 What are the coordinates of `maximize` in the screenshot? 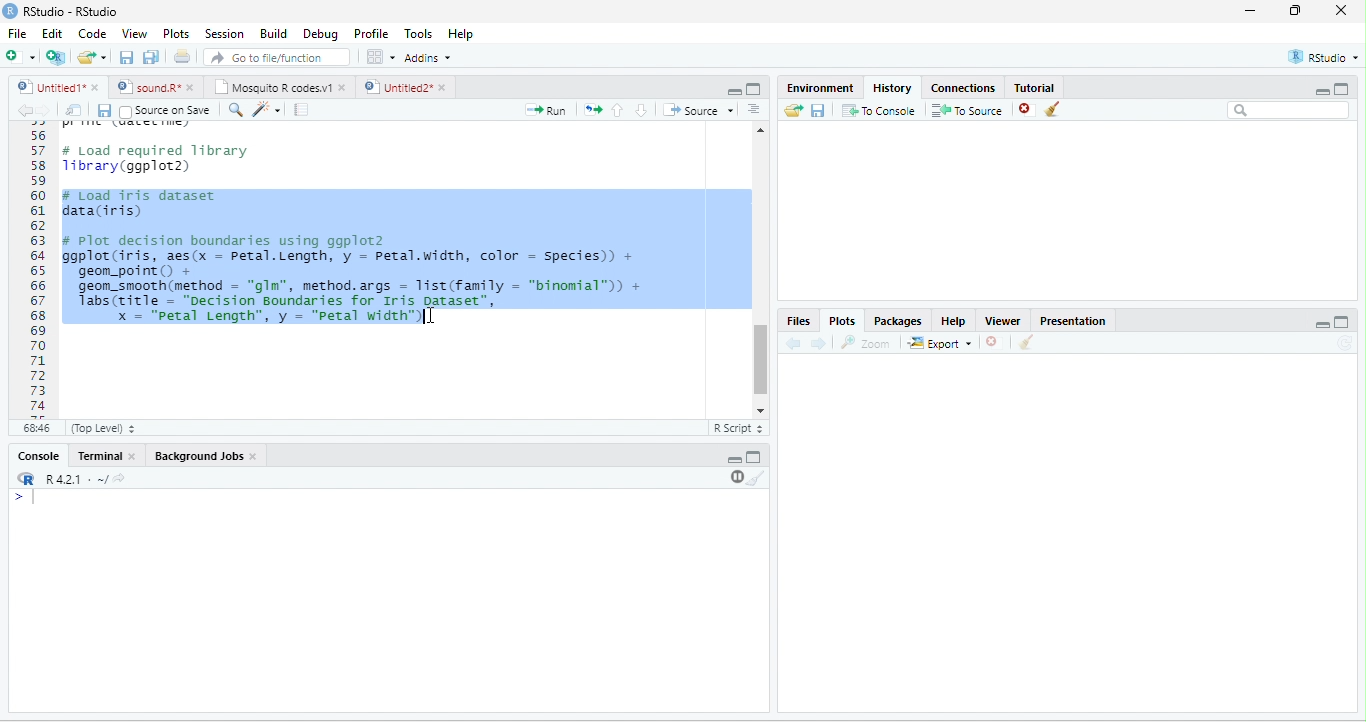 It's located at (1342, 88).